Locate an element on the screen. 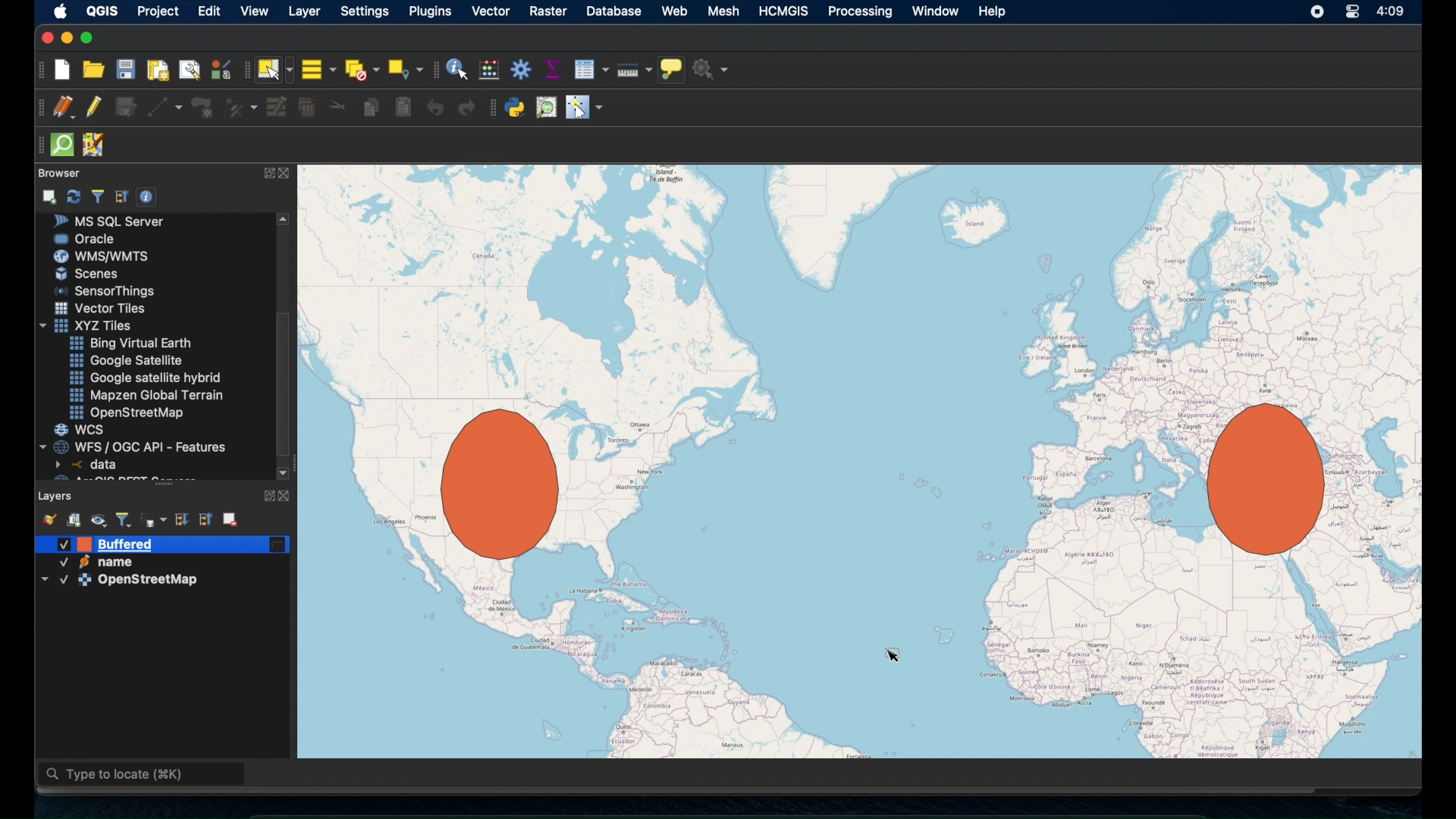 The height and width of the screenshot is (819, 1456). plugins toolbar is located at coordinates (491, 107).